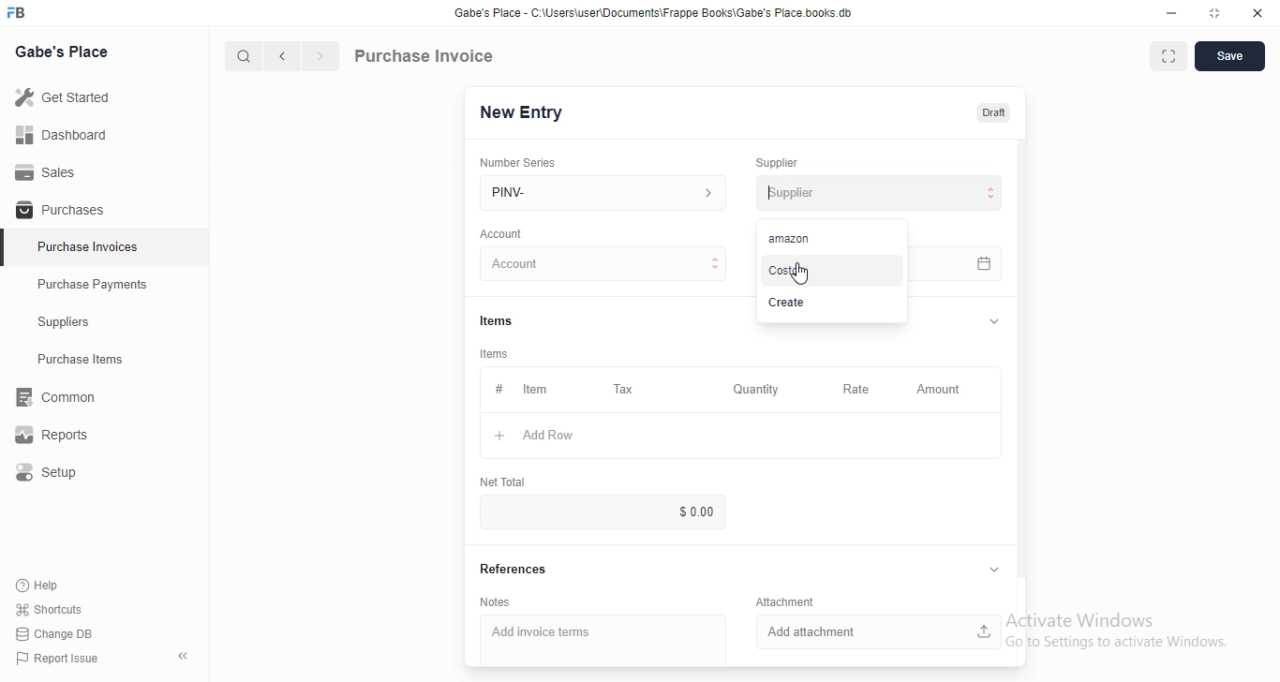 The image size is (1280, 682). Describe the element at coordinates (283, 56) in the screenshot. I see `Previous button` at that location.